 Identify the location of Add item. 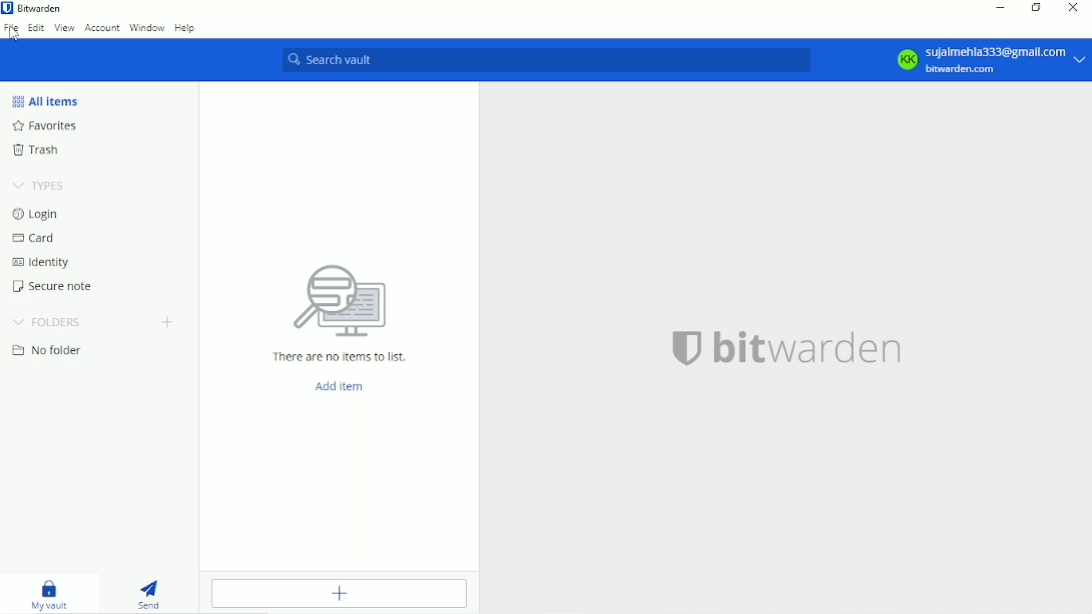
(335, 387).